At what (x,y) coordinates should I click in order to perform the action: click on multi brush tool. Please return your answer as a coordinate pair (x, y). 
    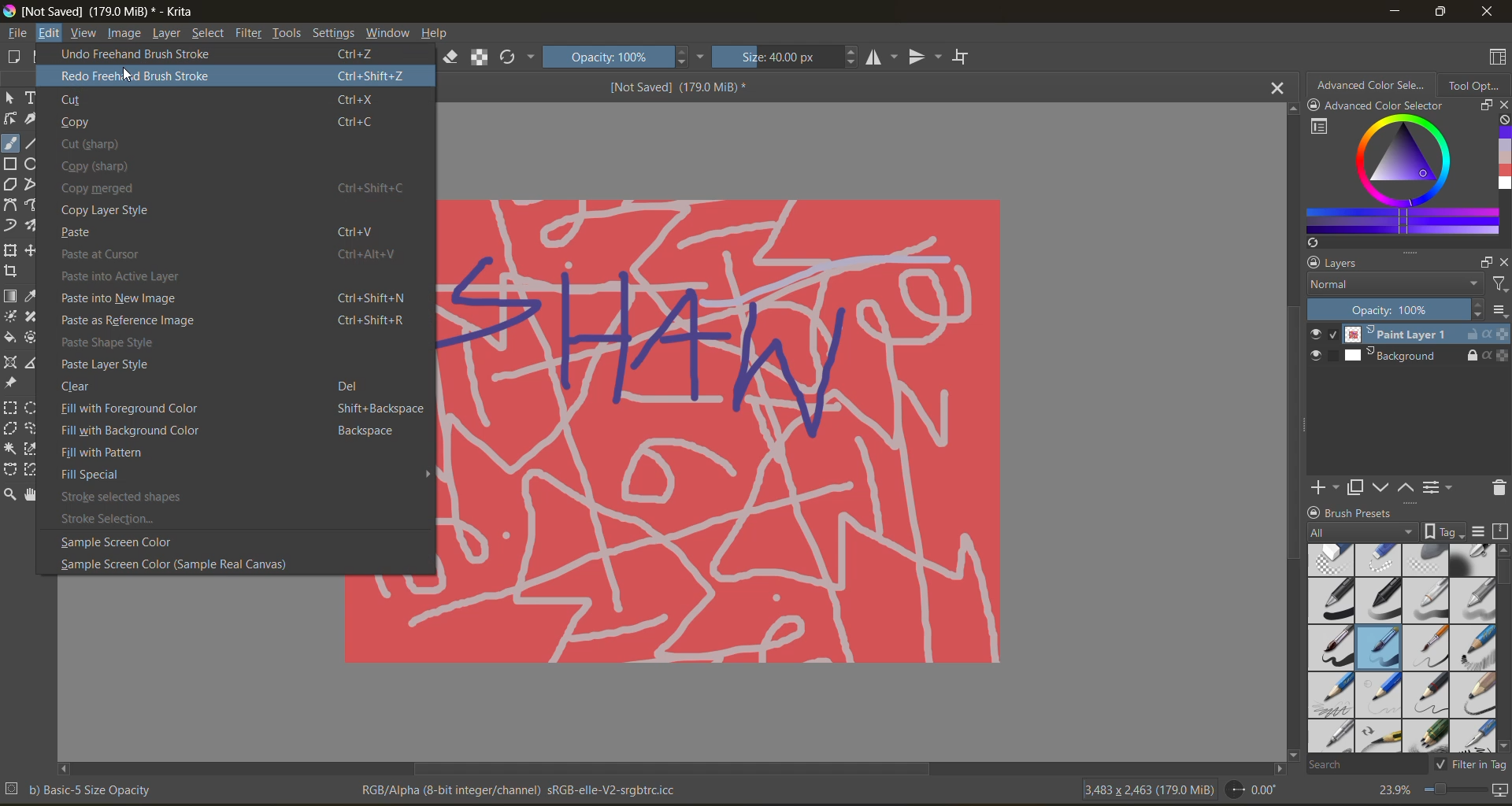
    Looking at the image, I should click on (35, 226).